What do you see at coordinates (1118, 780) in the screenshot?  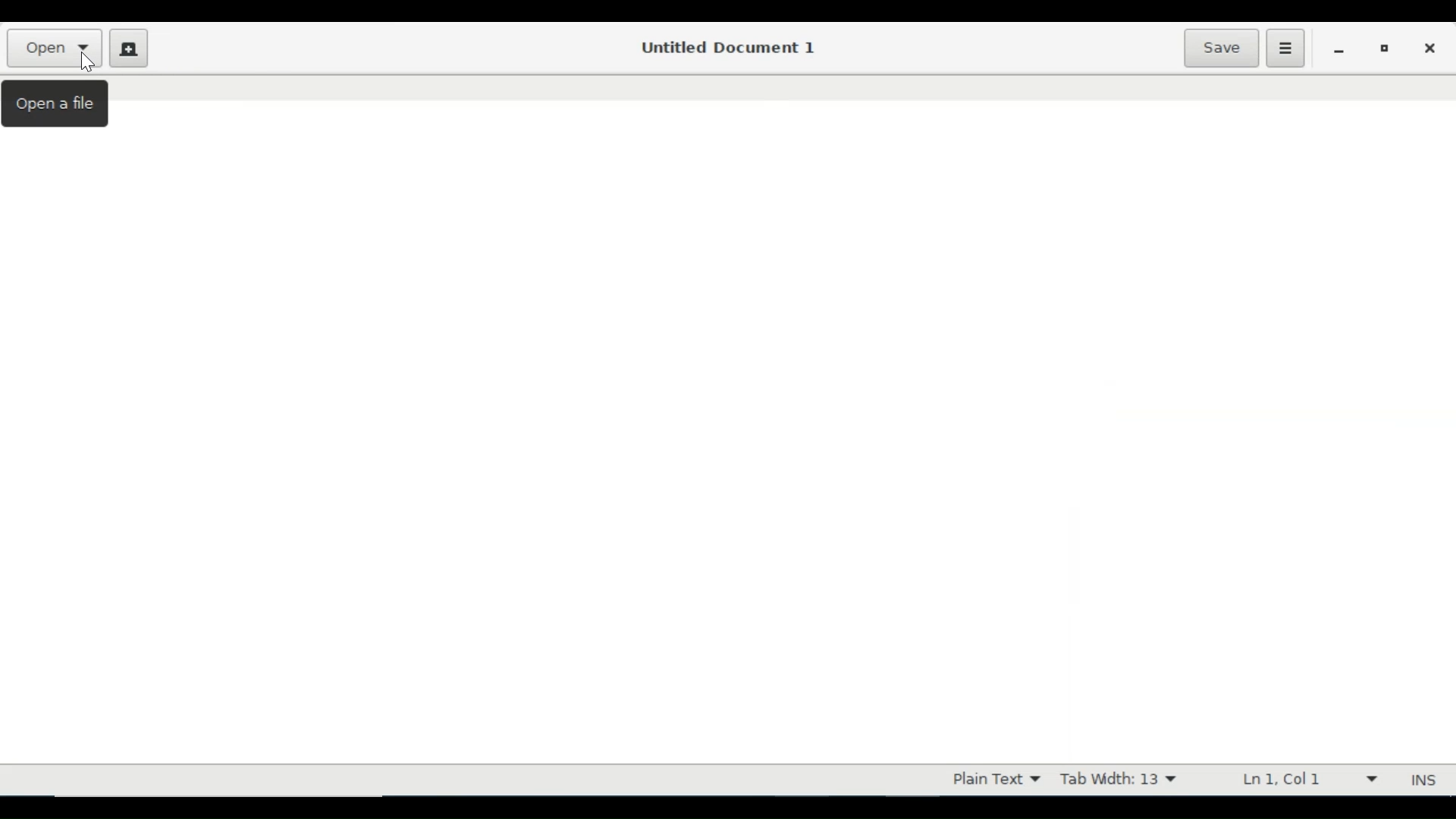 I see `Tab Width 13` at bounding box center [1118, 780].